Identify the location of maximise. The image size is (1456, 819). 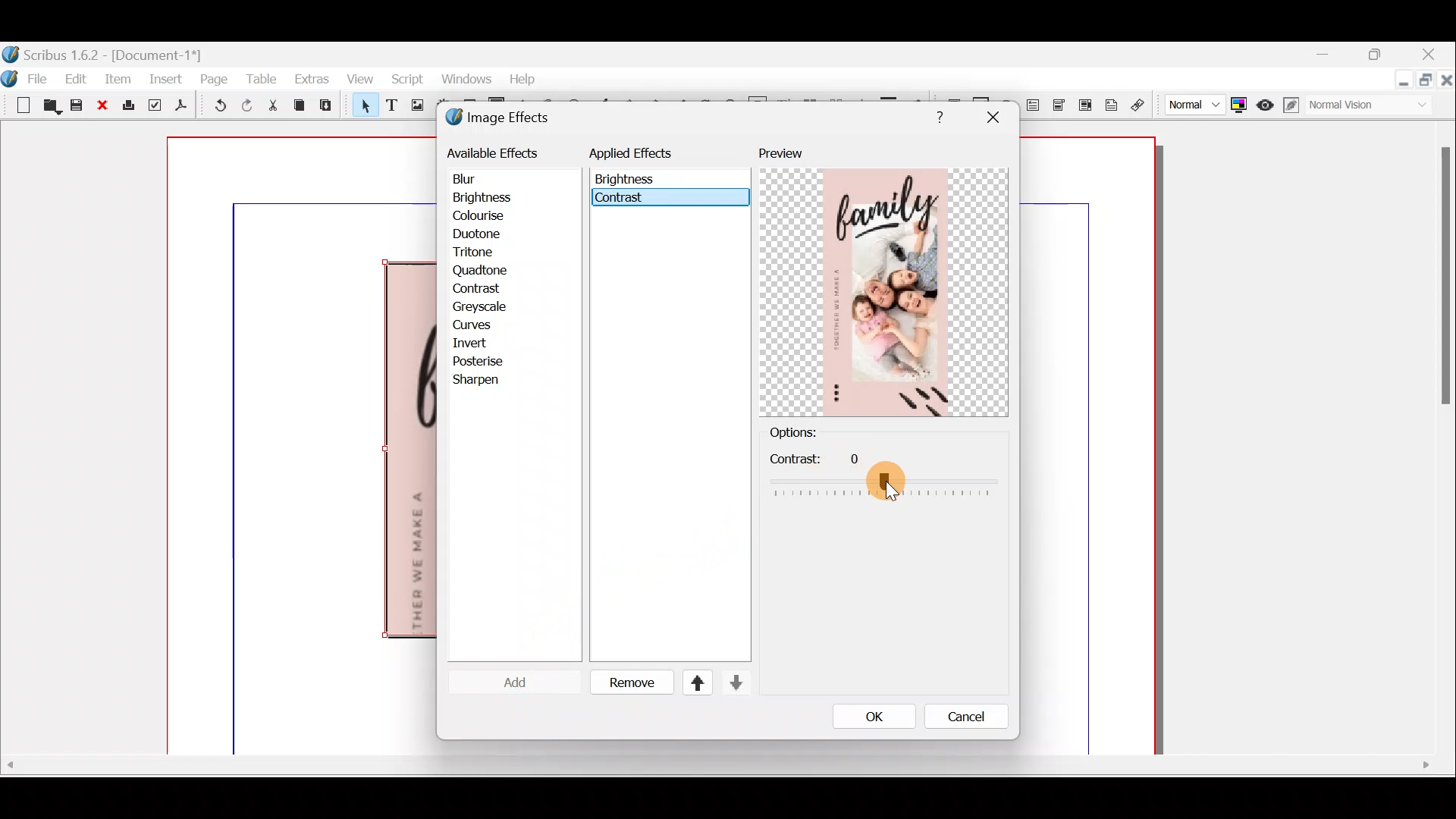
(1379, 57).